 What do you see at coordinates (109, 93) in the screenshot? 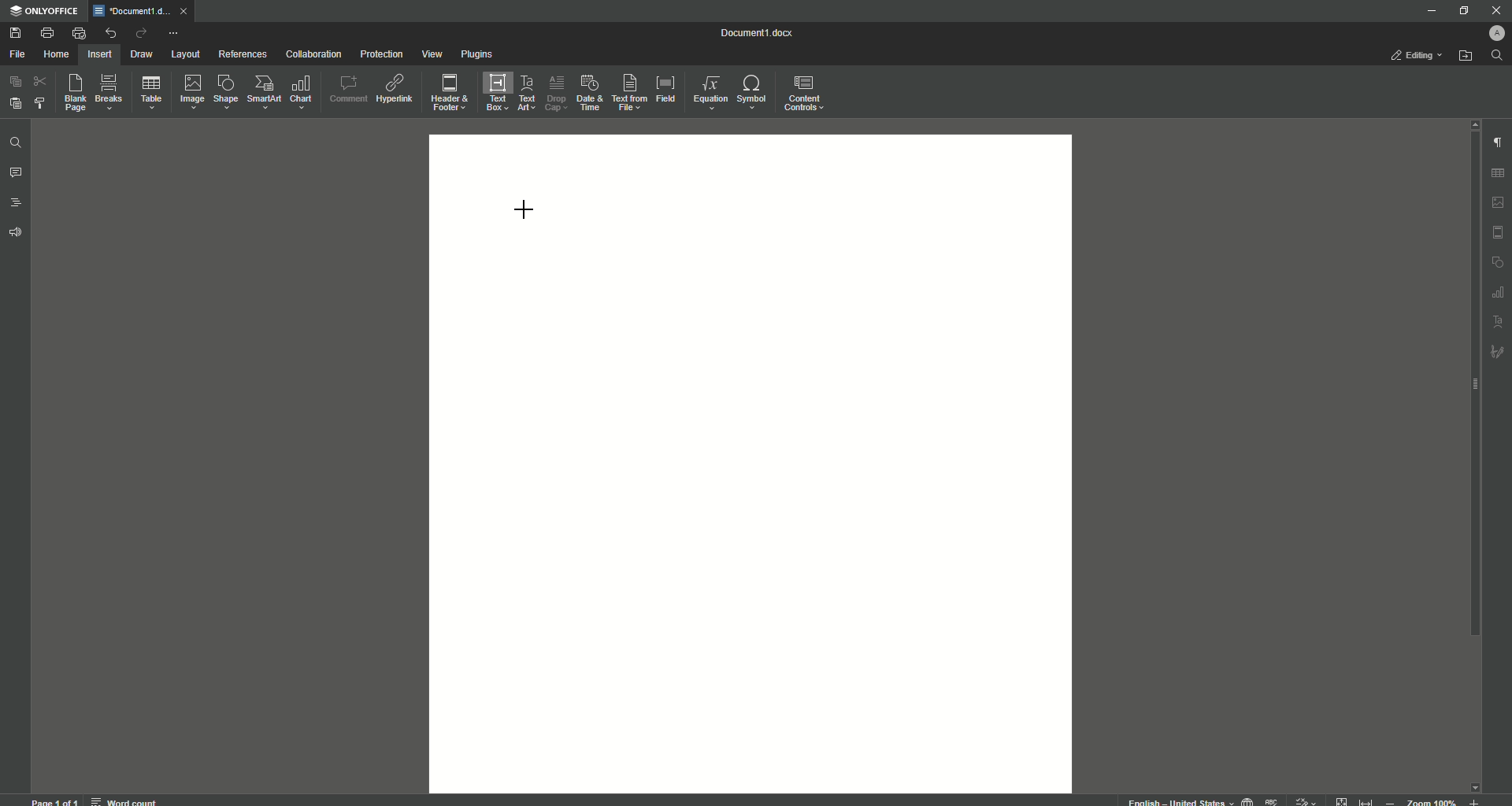
I see `Breaks` at bounding box center [109, 93].